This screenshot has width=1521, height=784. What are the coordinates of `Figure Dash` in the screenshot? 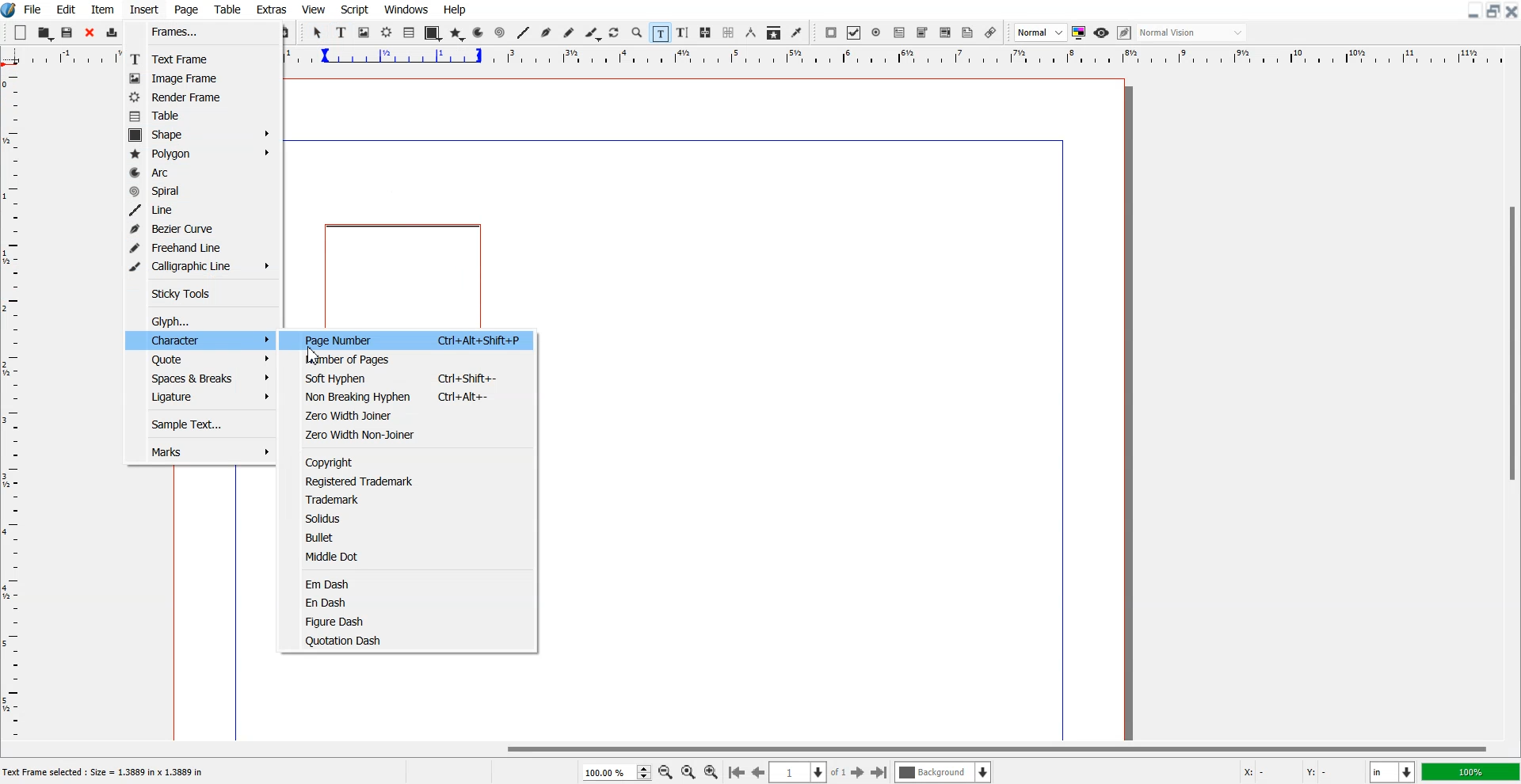 It's located at (413, 621).